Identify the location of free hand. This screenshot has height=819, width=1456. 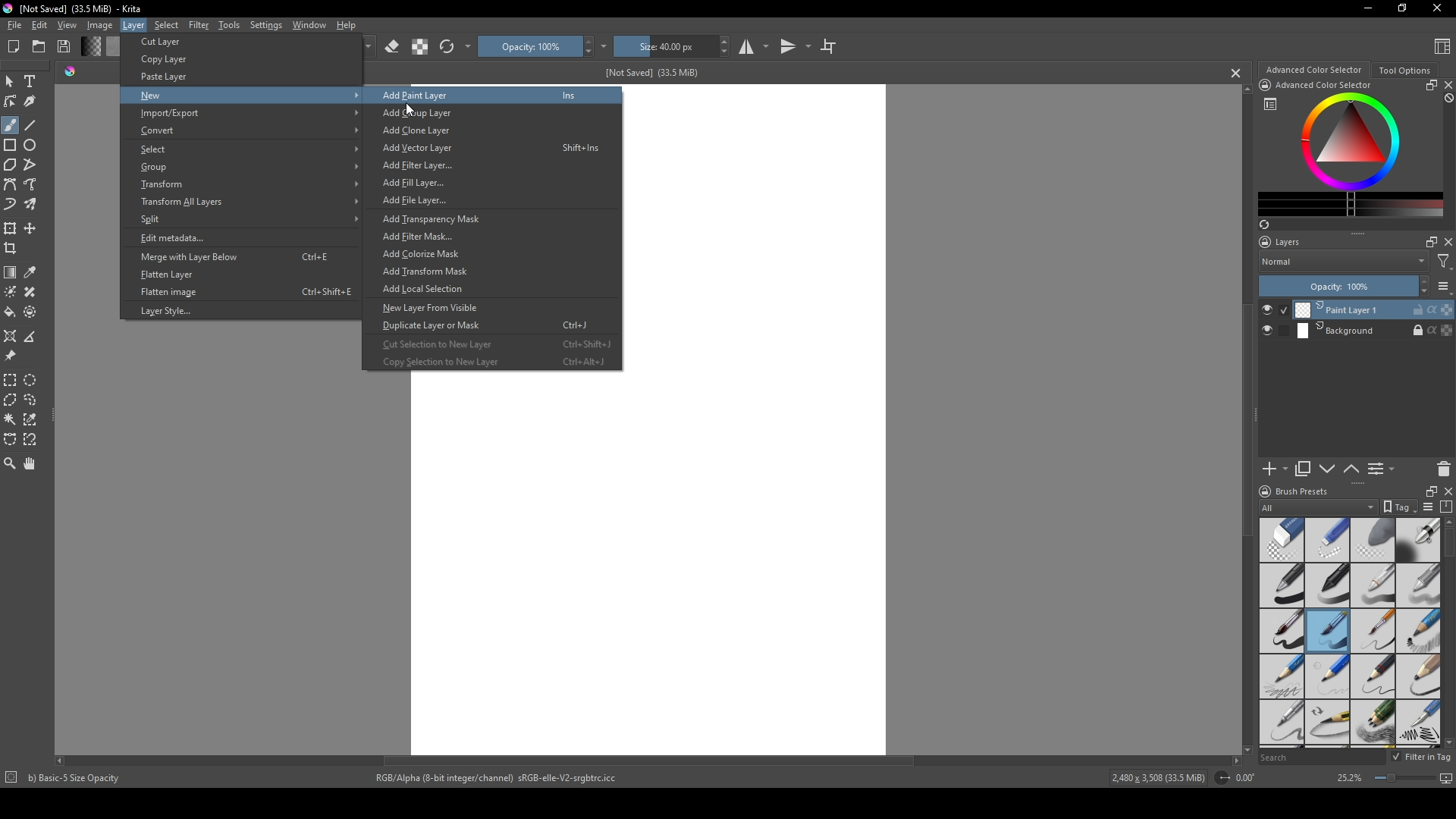
(32, 185).